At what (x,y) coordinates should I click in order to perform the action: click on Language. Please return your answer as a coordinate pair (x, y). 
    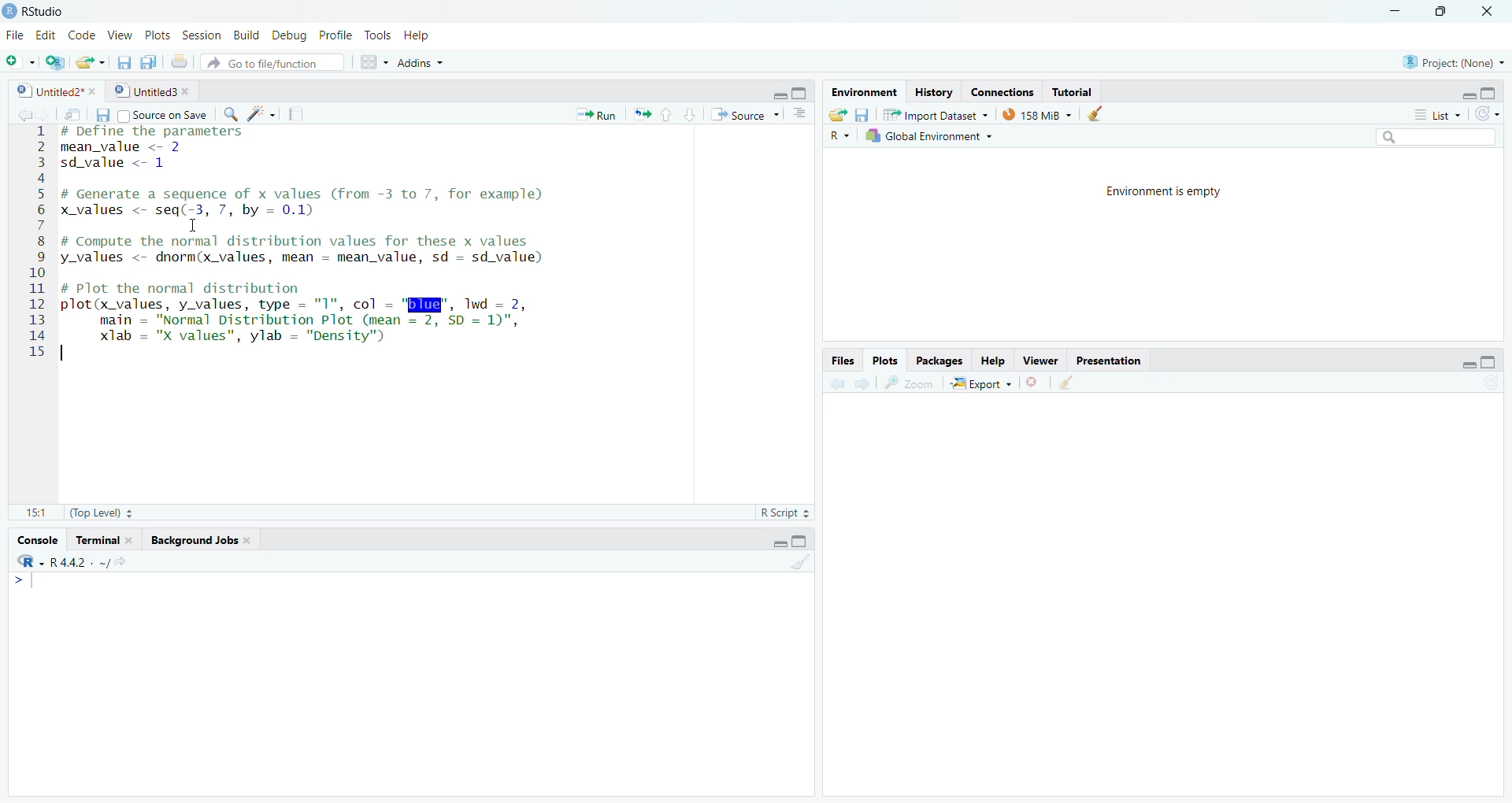
    Looking at the image, I should click on (19, 561).